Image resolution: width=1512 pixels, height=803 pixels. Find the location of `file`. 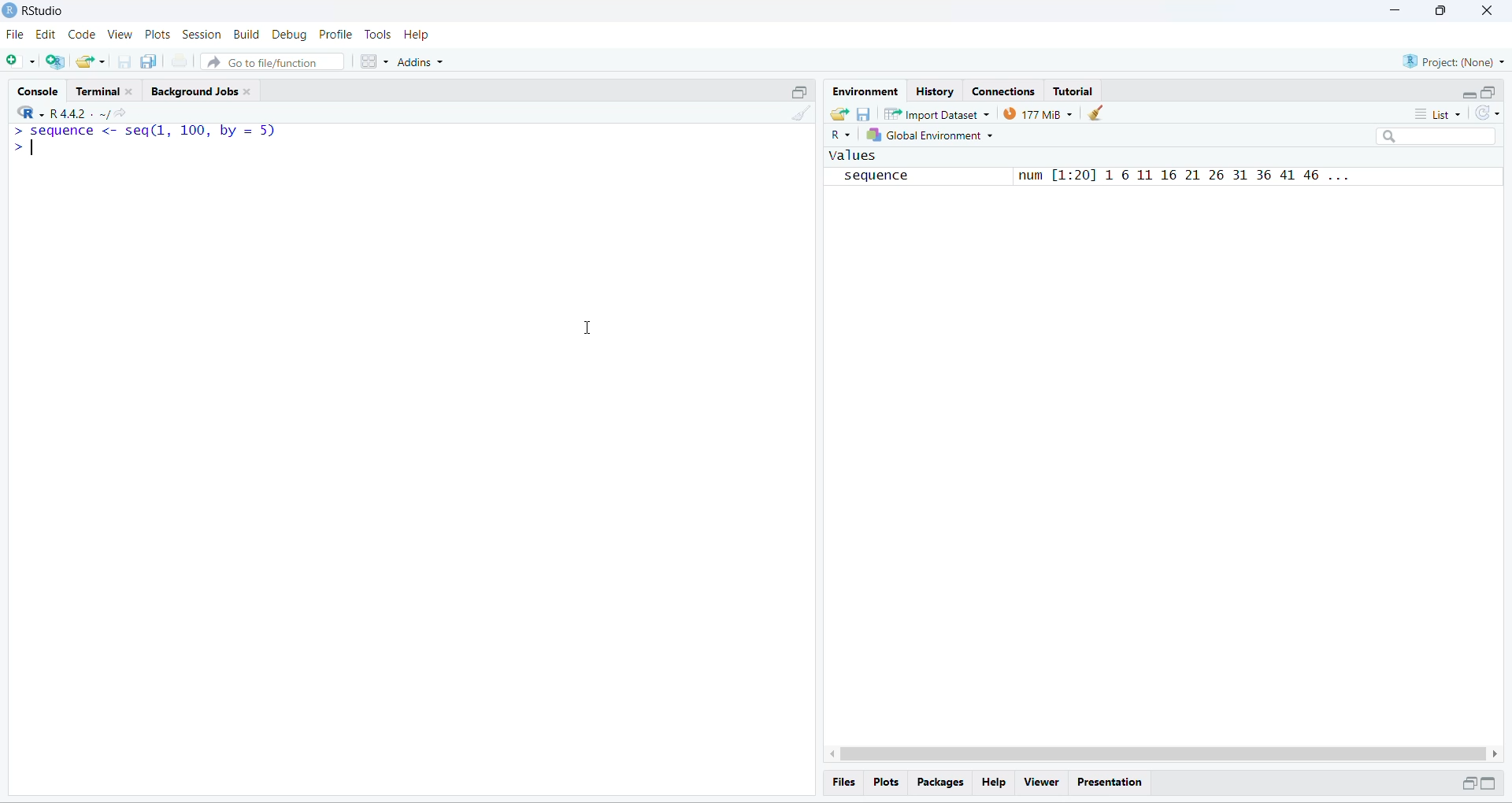

file is located at coordinates (16, 35).